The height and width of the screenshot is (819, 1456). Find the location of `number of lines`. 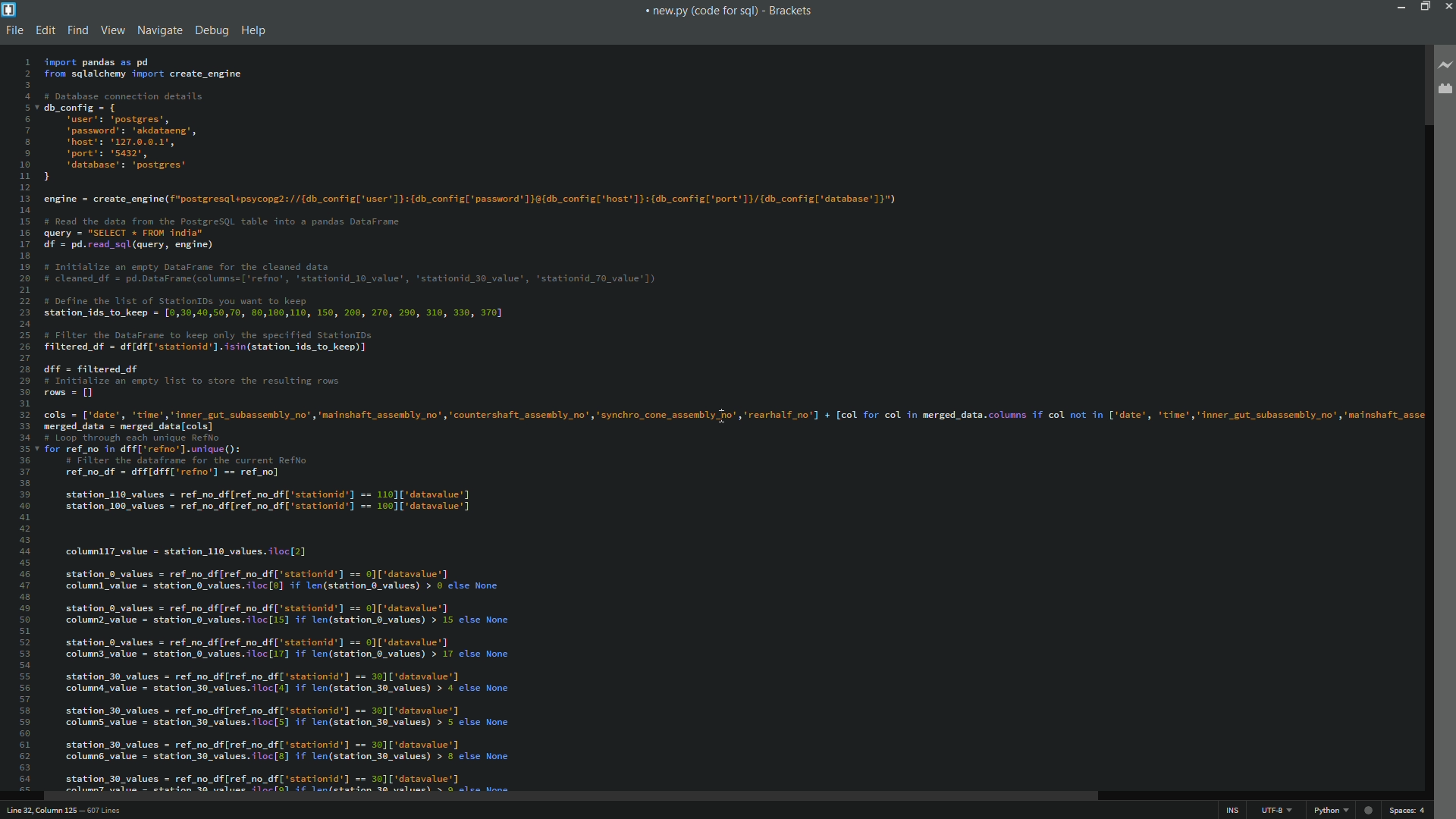

number of lines is located at coordinates (105, 811).